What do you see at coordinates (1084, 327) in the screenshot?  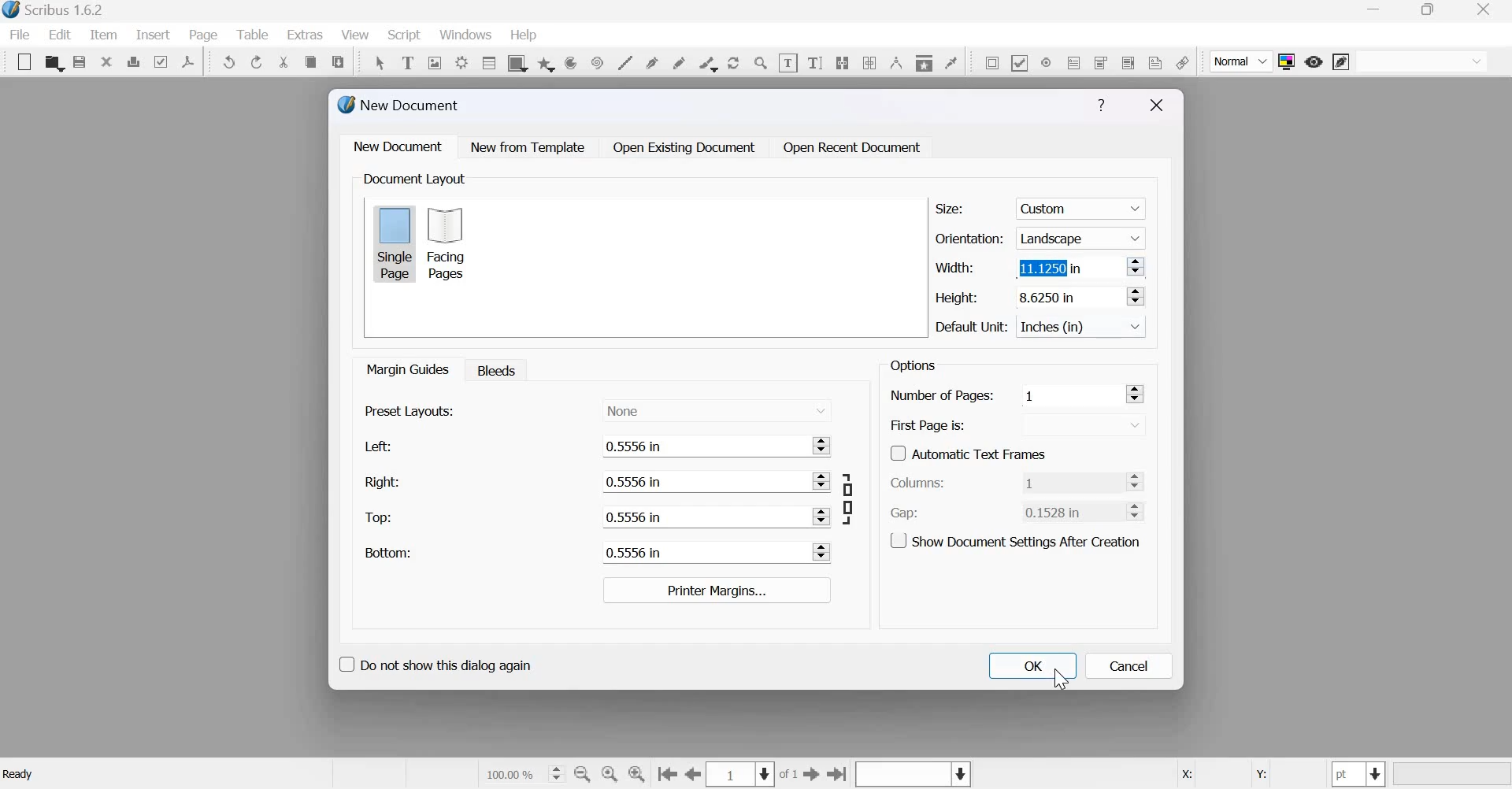 I see `Inches (in)` at bounding box center [1084, 327].